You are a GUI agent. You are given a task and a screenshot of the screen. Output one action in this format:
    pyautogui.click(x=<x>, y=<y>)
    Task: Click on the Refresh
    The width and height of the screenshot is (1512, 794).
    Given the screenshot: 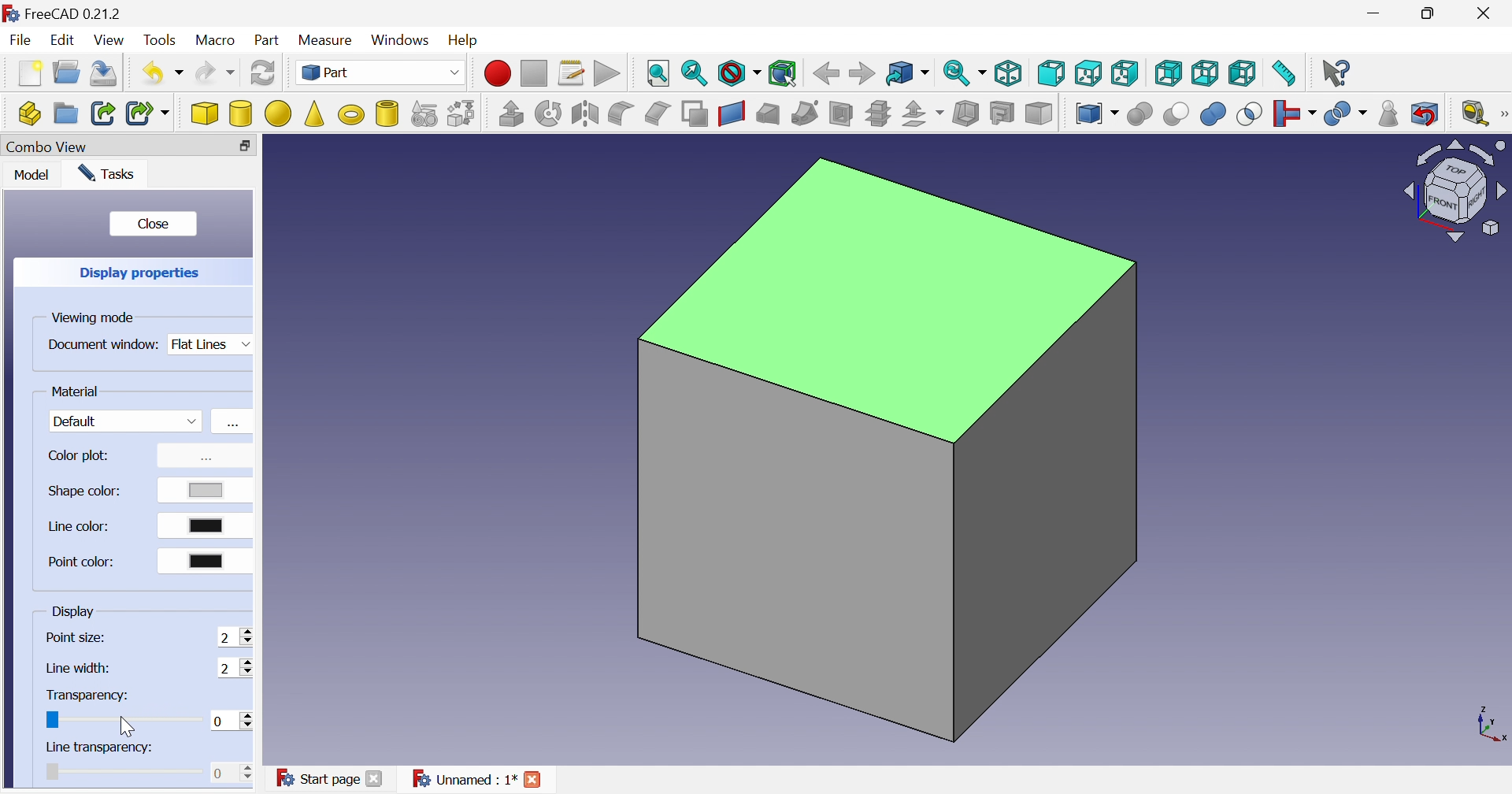 What is the action you would take?
    pyautogui.click(x=263, y=72)
    